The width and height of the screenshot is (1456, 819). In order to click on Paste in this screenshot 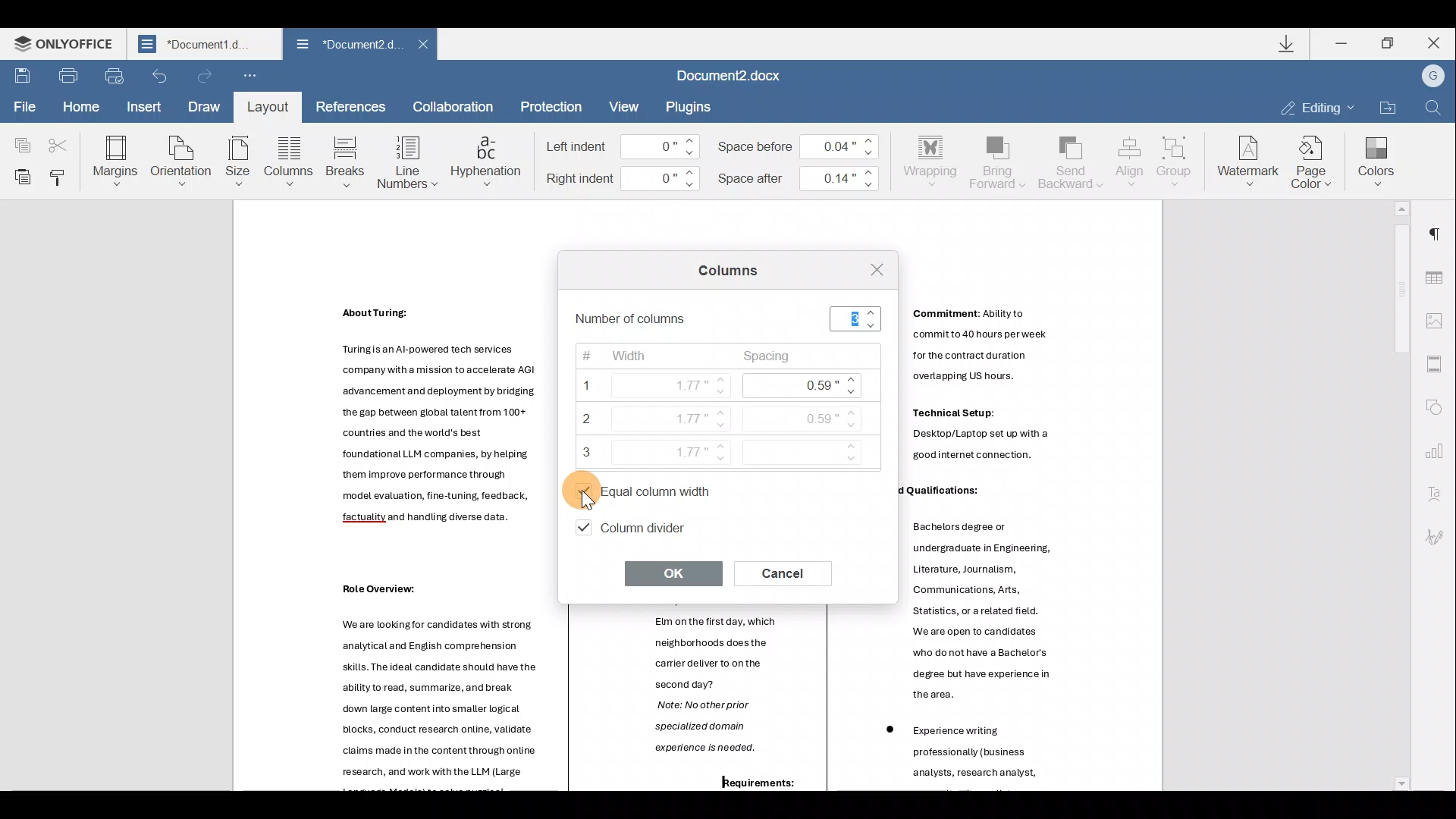, I will do `click(19, 175)`.